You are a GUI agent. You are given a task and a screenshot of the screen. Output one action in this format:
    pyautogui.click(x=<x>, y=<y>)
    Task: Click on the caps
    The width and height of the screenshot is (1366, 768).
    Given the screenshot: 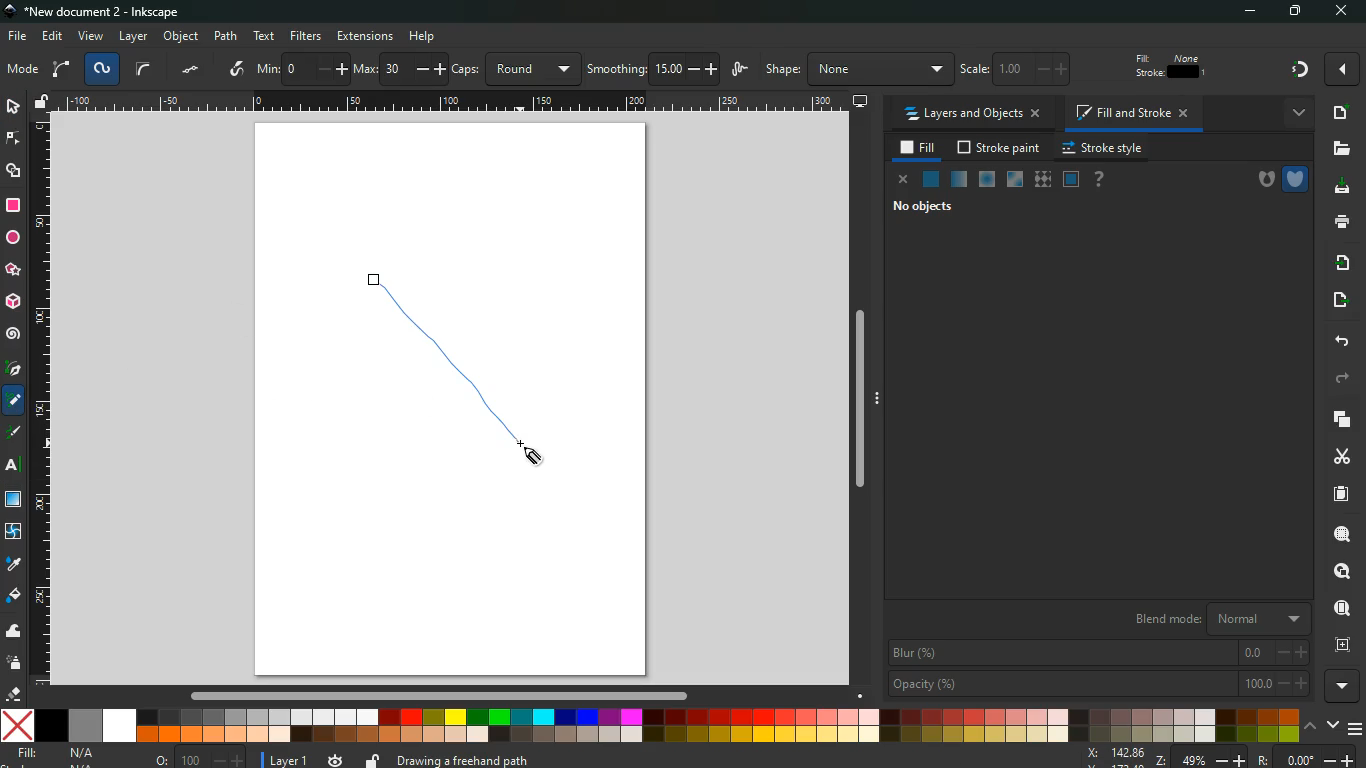 What is the action you would take?
    pyautogui.click(x=515, y=69)
    